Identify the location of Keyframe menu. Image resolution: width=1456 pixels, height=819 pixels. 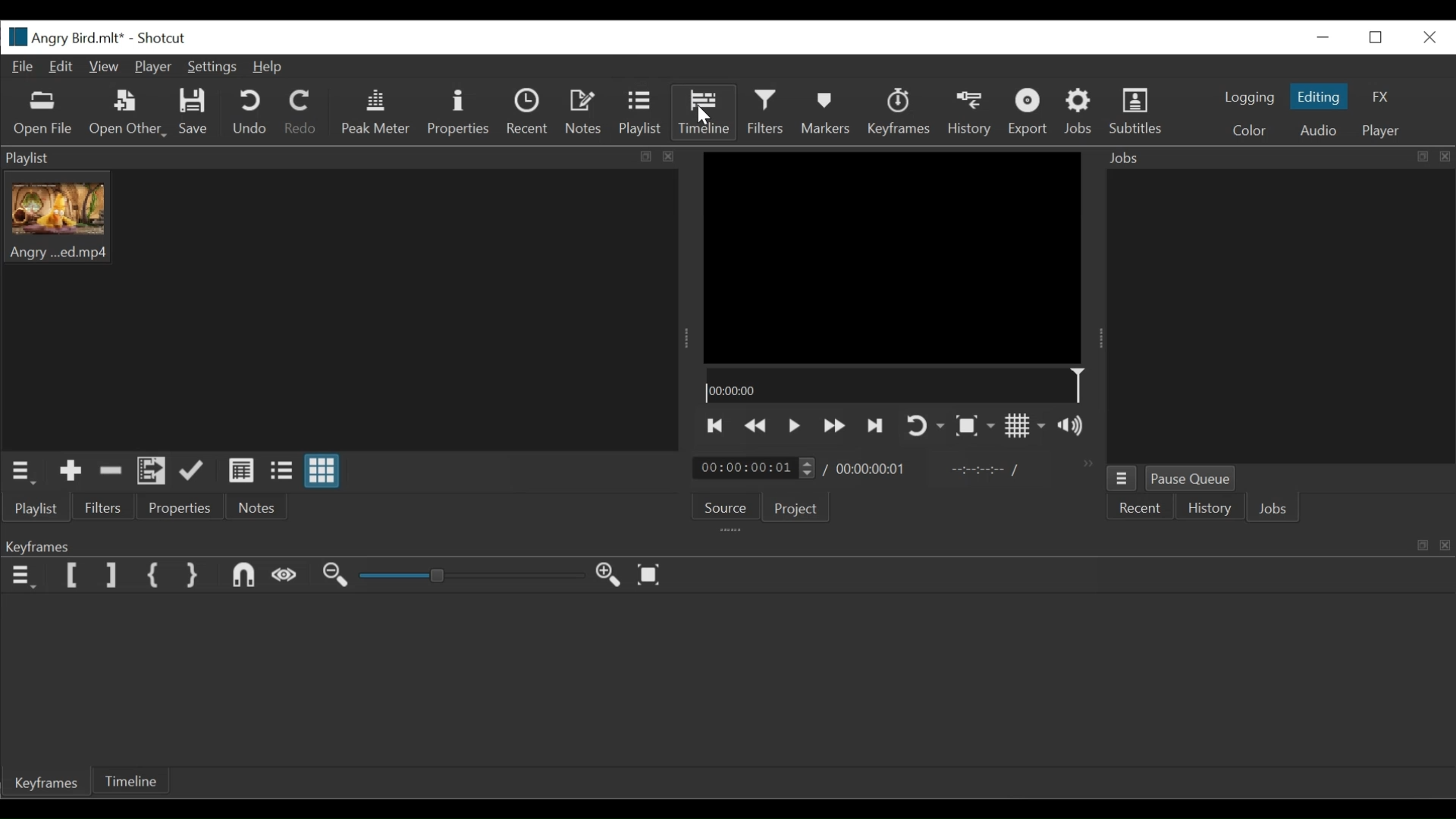
(26, 575).